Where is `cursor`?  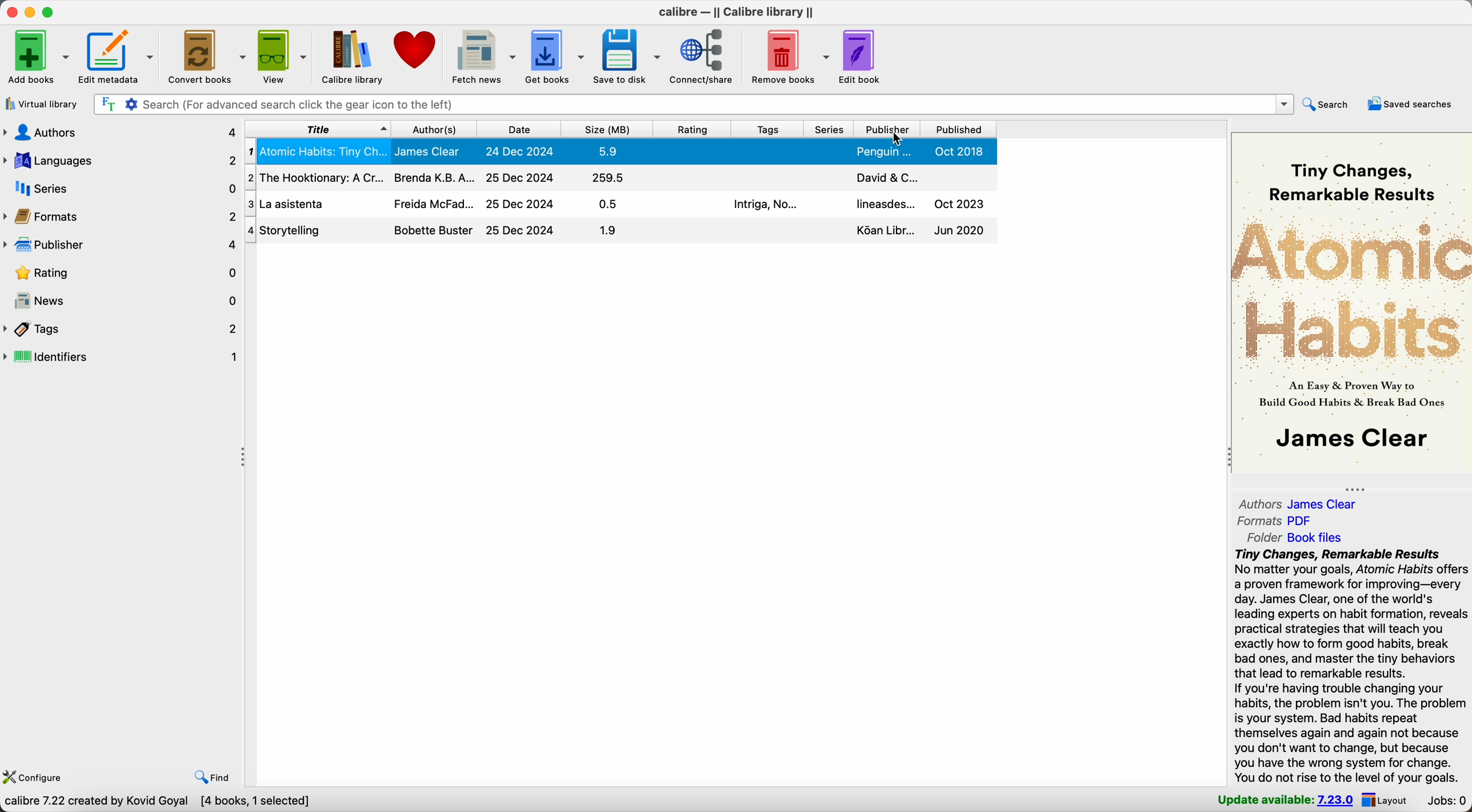
cursor is located at coordinates (897, 140).